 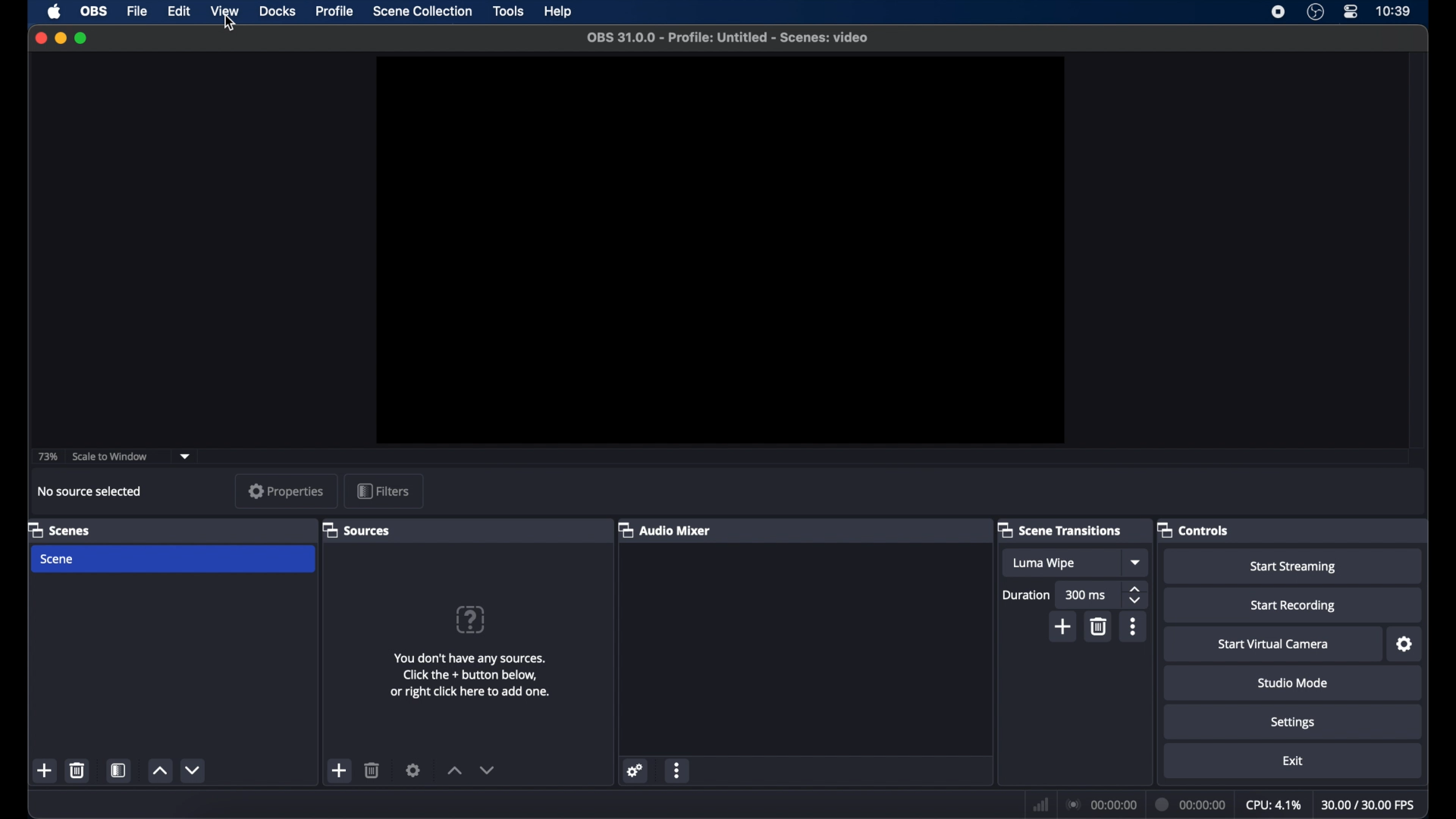 I want to click on delete, so click(x=372, y=770).